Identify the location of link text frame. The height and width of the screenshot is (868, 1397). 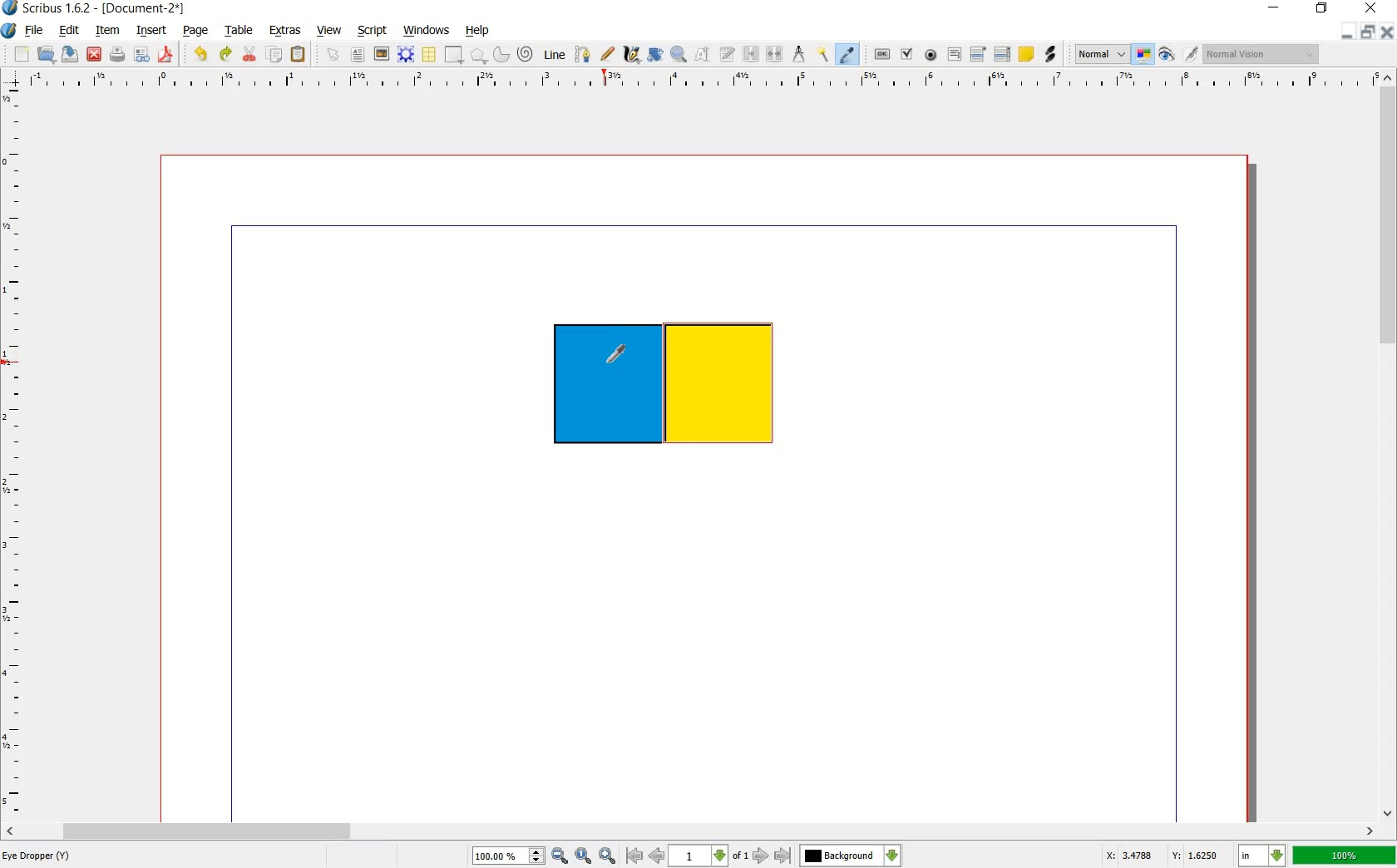
(750, 55).